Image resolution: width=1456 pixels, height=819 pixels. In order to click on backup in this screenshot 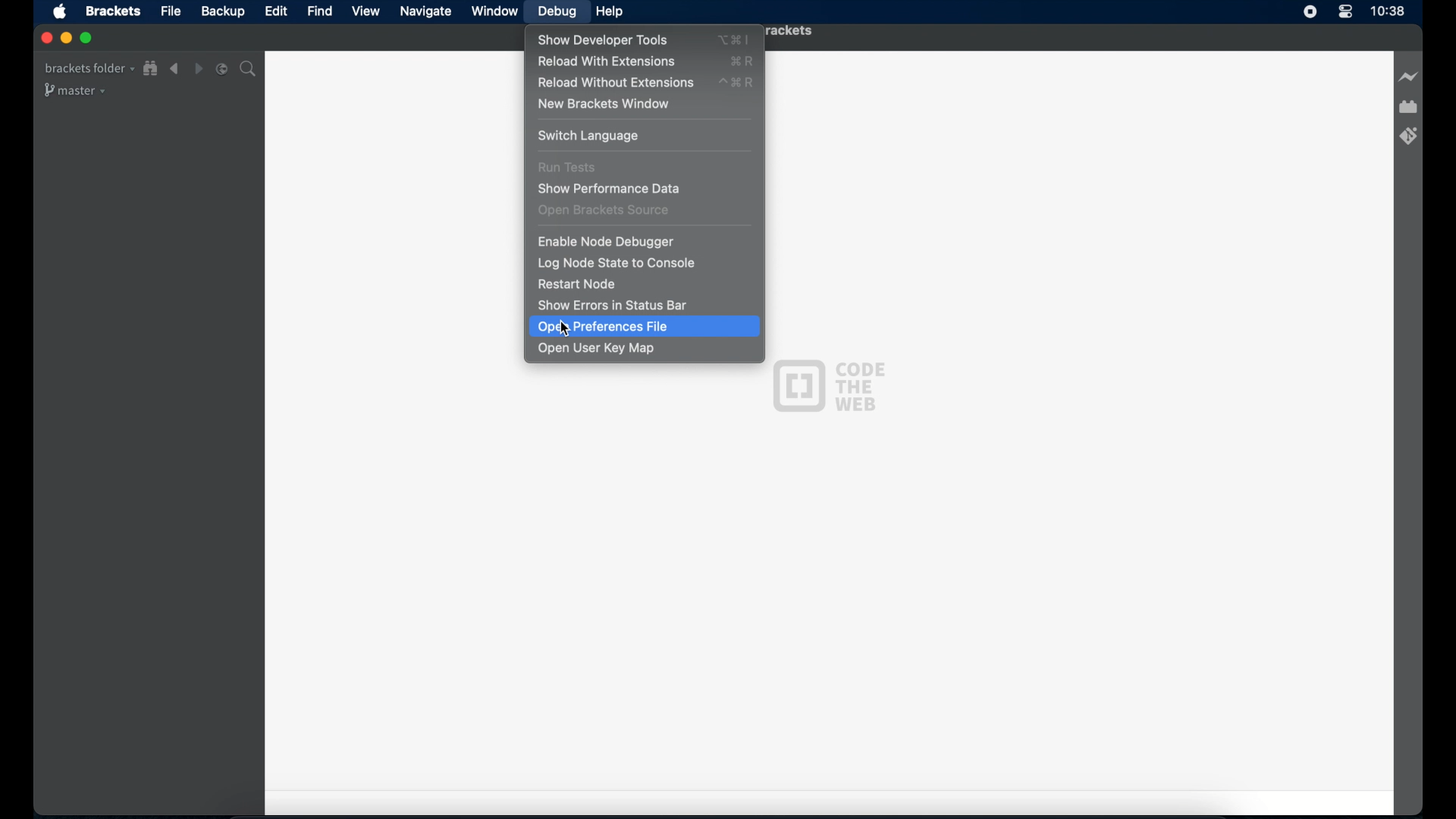, I will do `click(223, 11)`.